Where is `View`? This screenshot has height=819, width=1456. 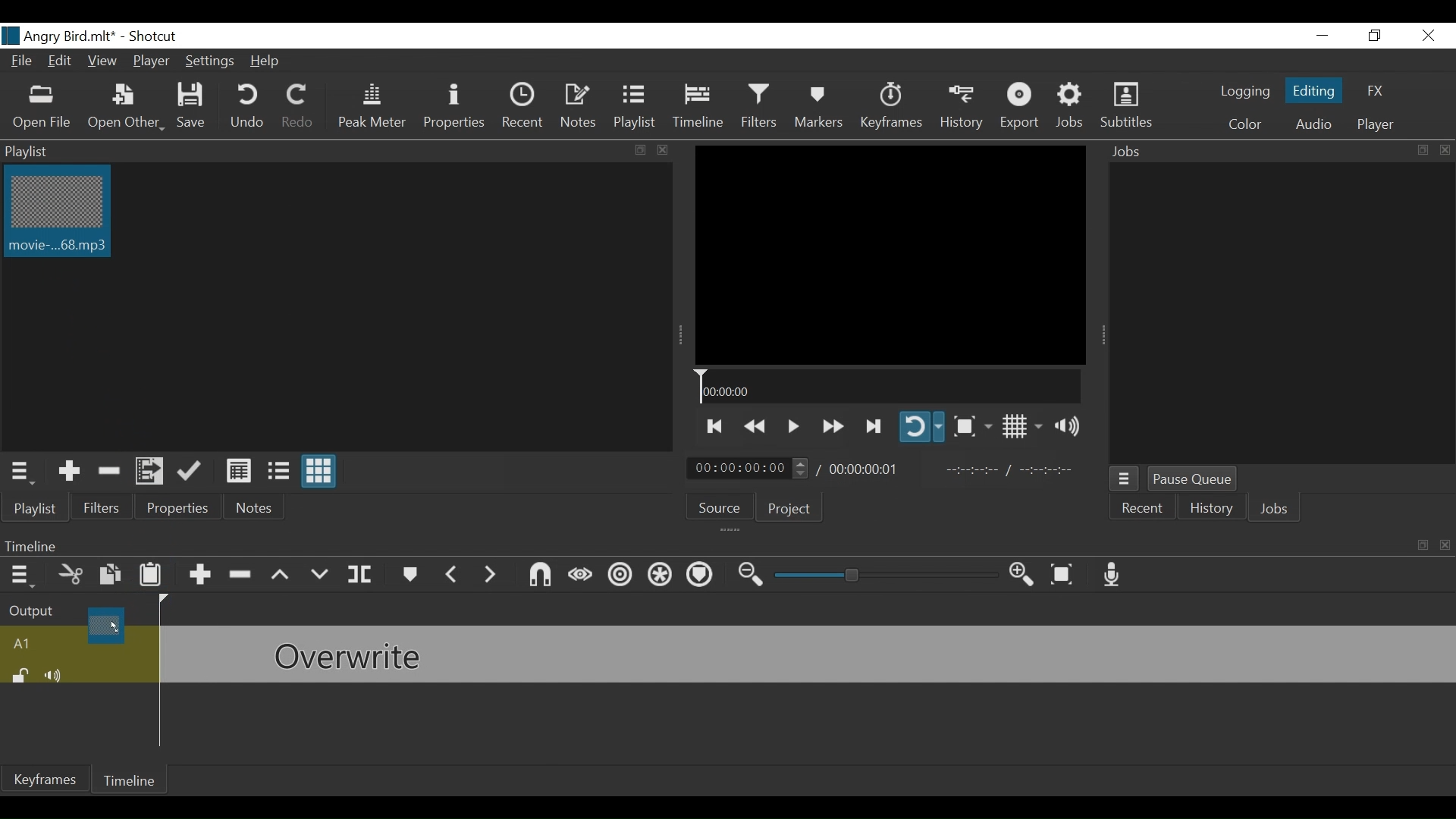 View is located at coordinates (102, 63).